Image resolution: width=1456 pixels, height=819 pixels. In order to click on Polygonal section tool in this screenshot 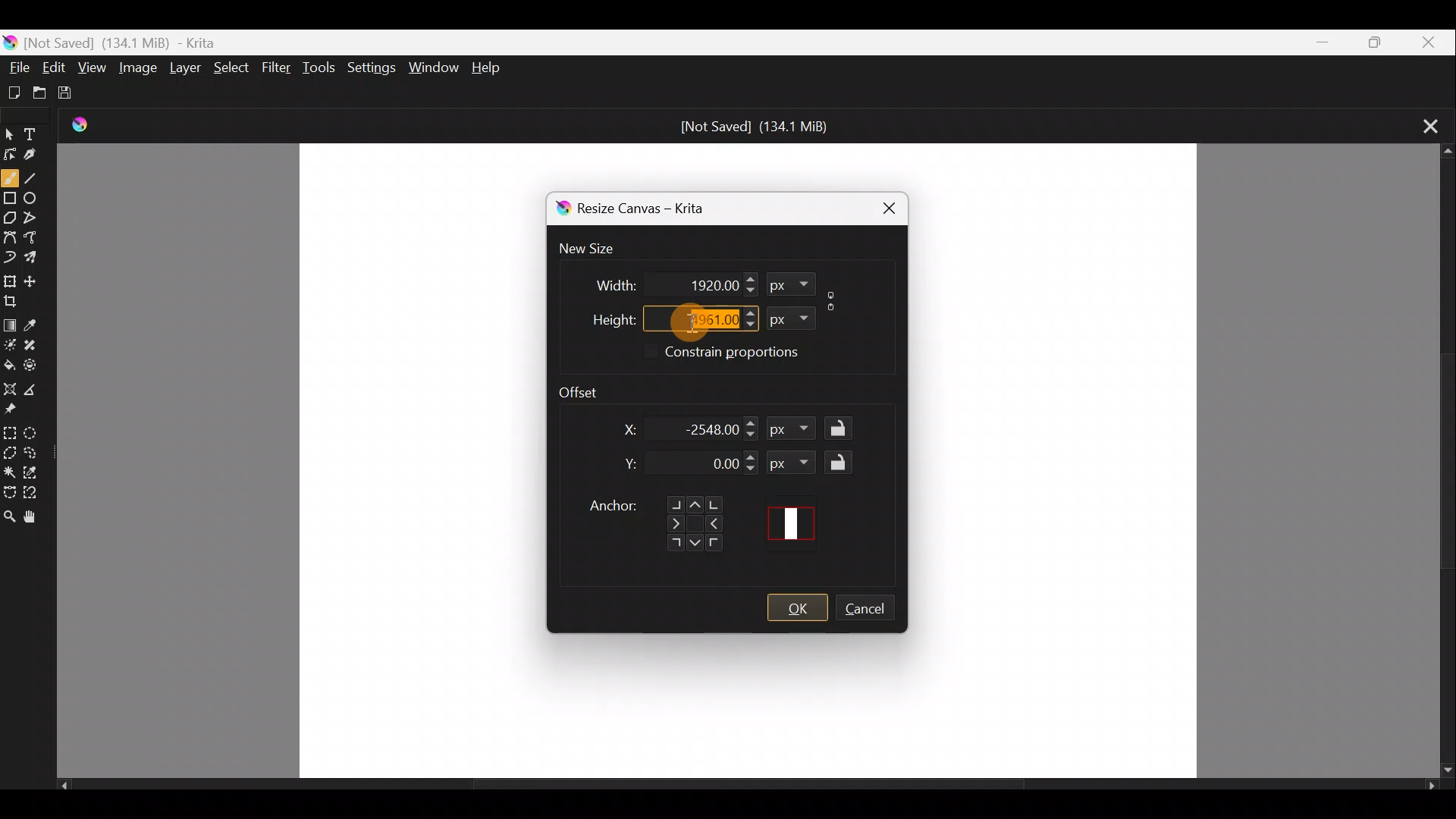, I will do `click(11, 454)`.